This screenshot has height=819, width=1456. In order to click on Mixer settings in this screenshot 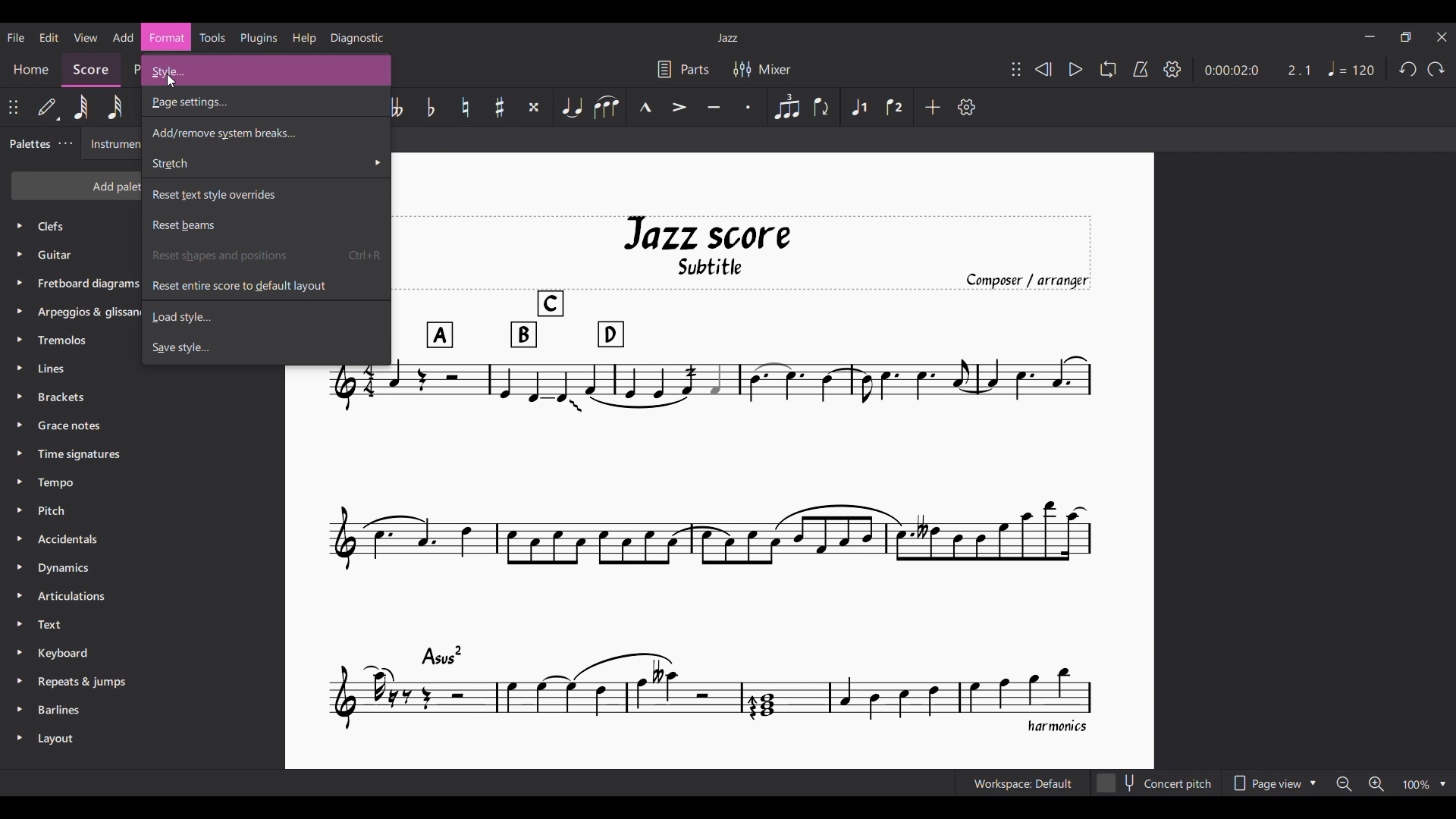, I will do `click(761, 68)`.